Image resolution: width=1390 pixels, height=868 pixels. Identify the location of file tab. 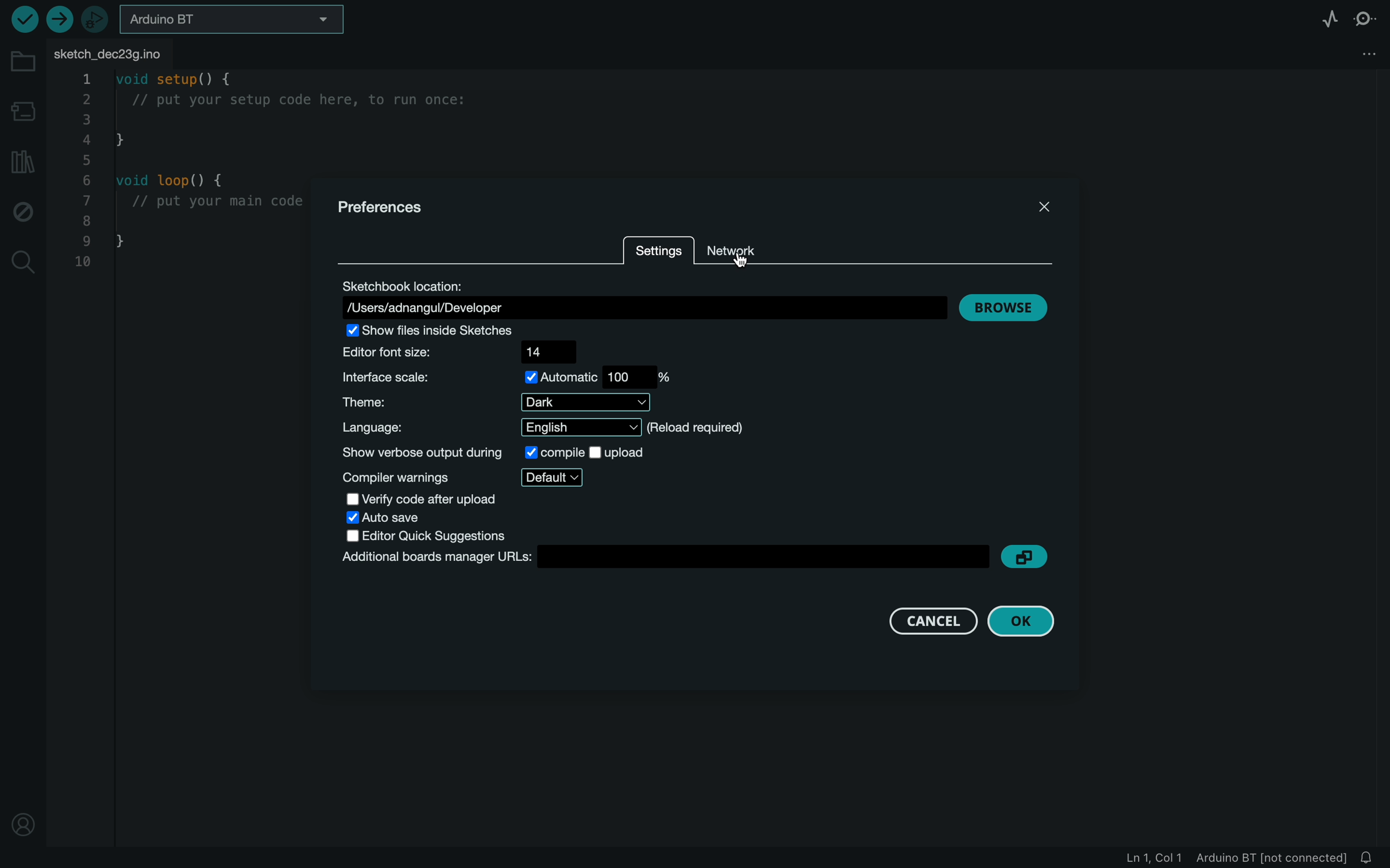
(111, 52).